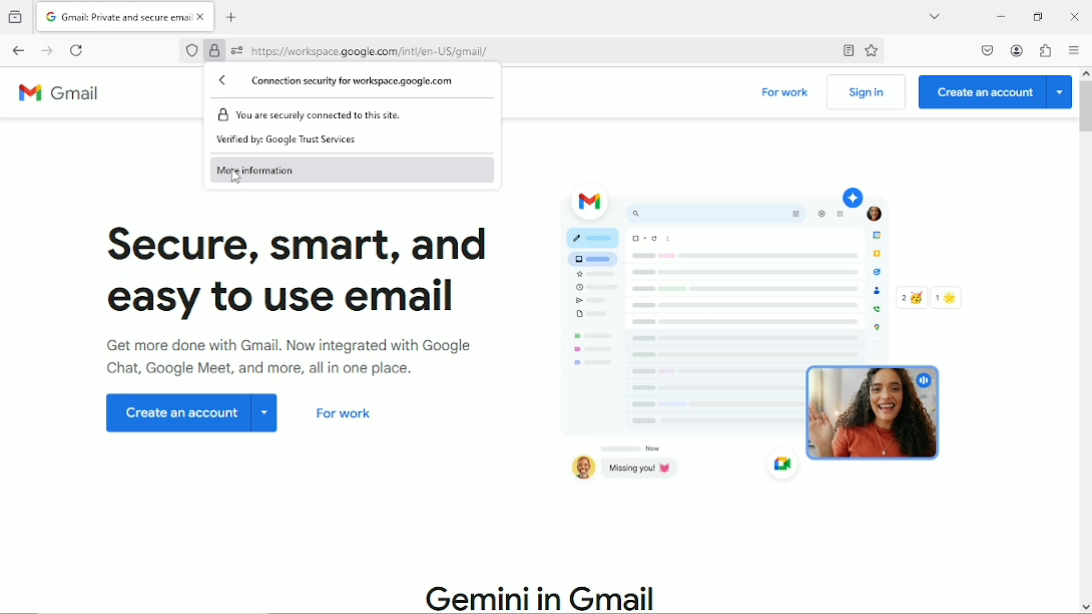 Image resolution: width=1092 pixels, height=614 pixels. I want to click on Get more done with Gmail. Now integrated with Google chat, Google meet and more all in one place., so click(297, 357).